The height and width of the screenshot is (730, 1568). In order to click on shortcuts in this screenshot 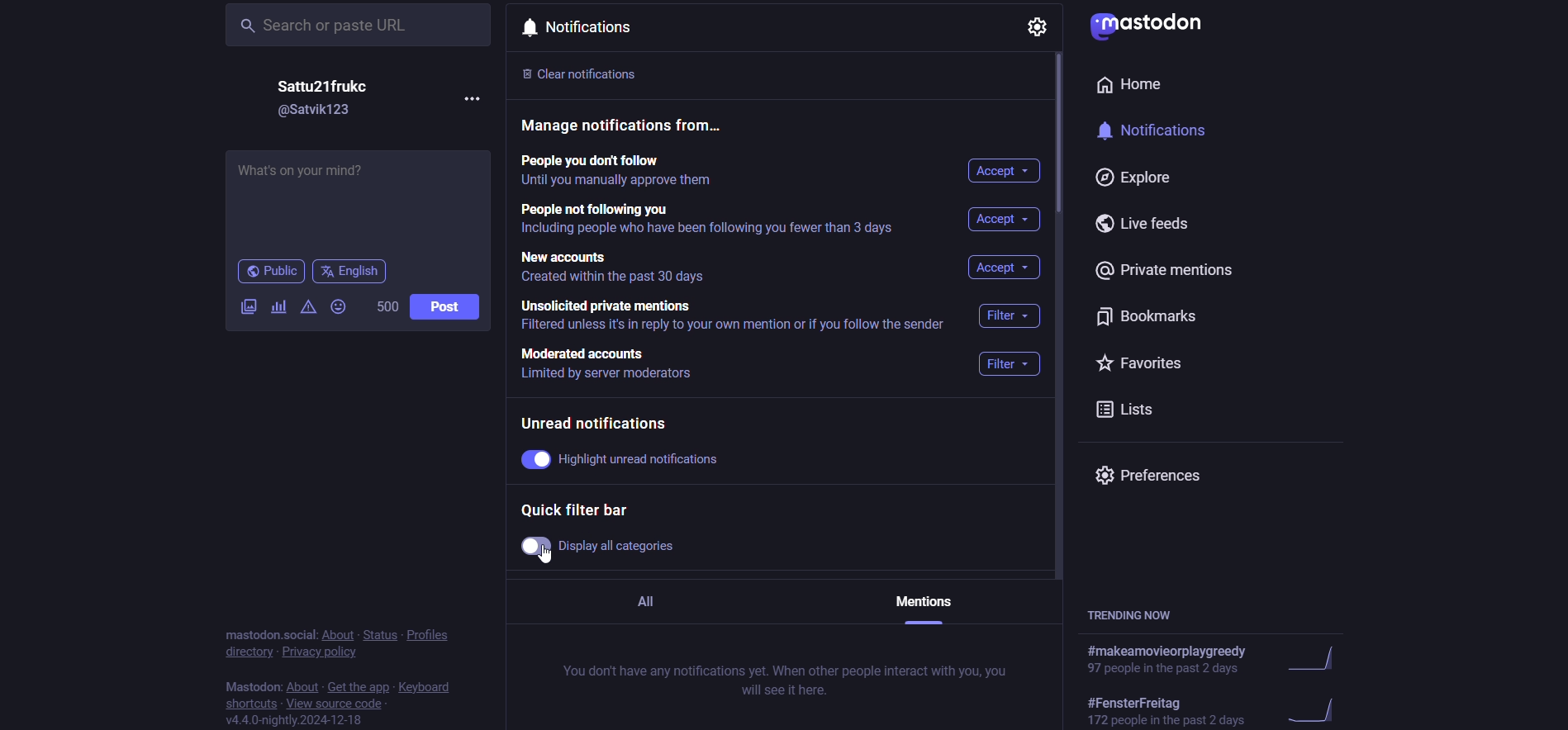, I will do `click(254, 704)`.